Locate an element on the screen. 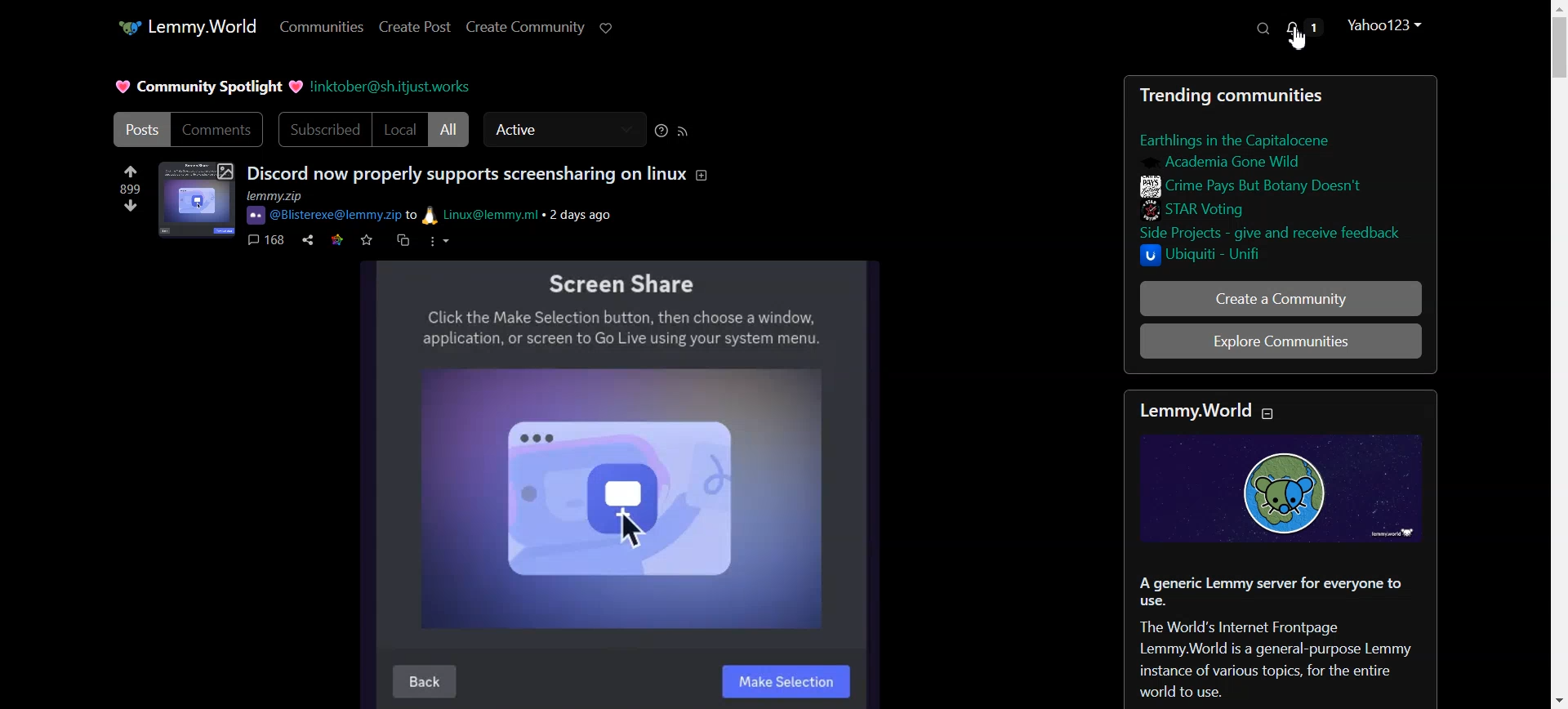 The image size is (1568, 709). Save is located at coordinates (367, 240).